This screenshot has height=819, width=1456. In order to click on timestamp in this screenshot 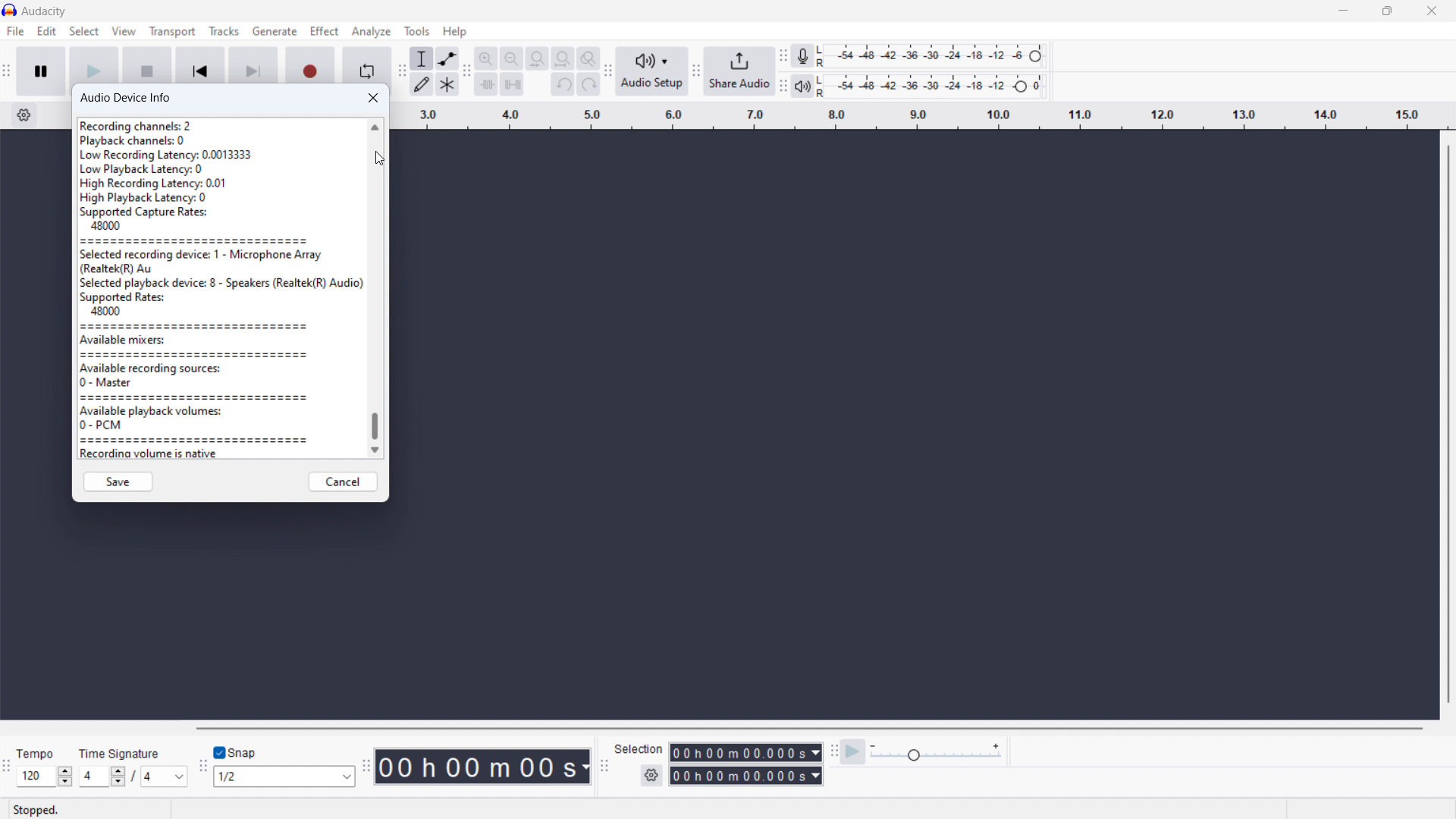, I will do `click(482, 766)`.